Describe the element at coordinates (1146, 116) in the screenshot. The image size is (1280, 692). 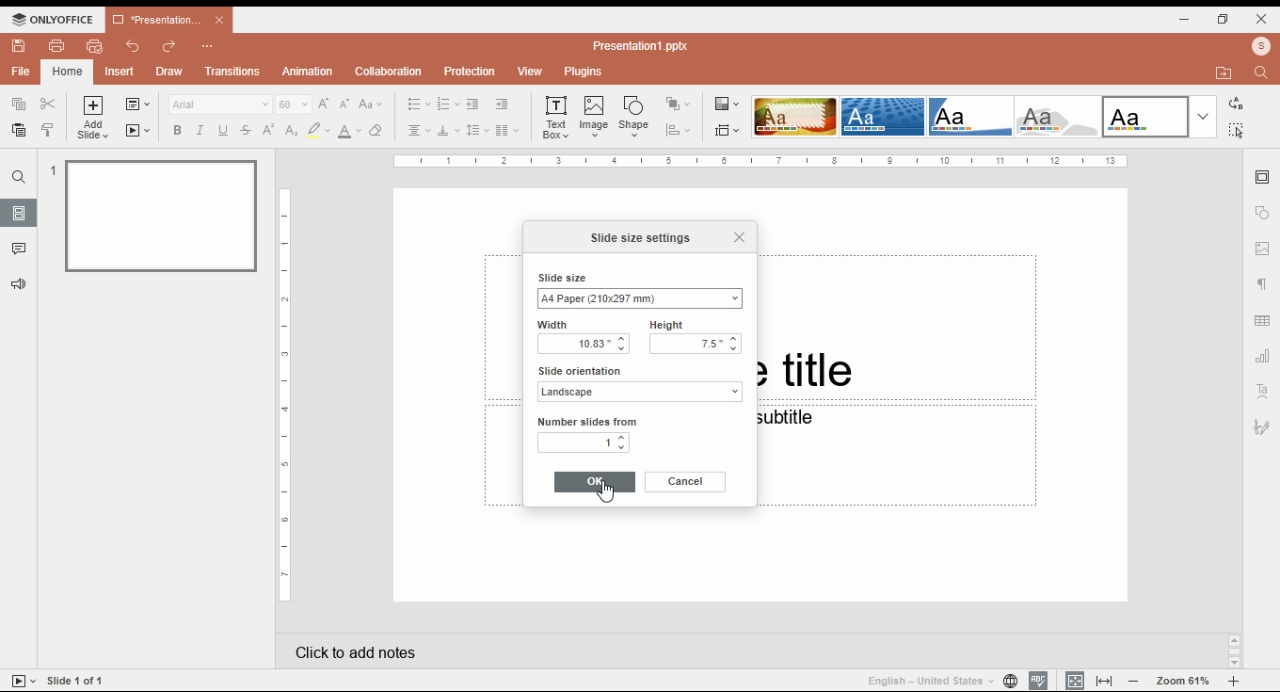
I see `slide them option` at that location.